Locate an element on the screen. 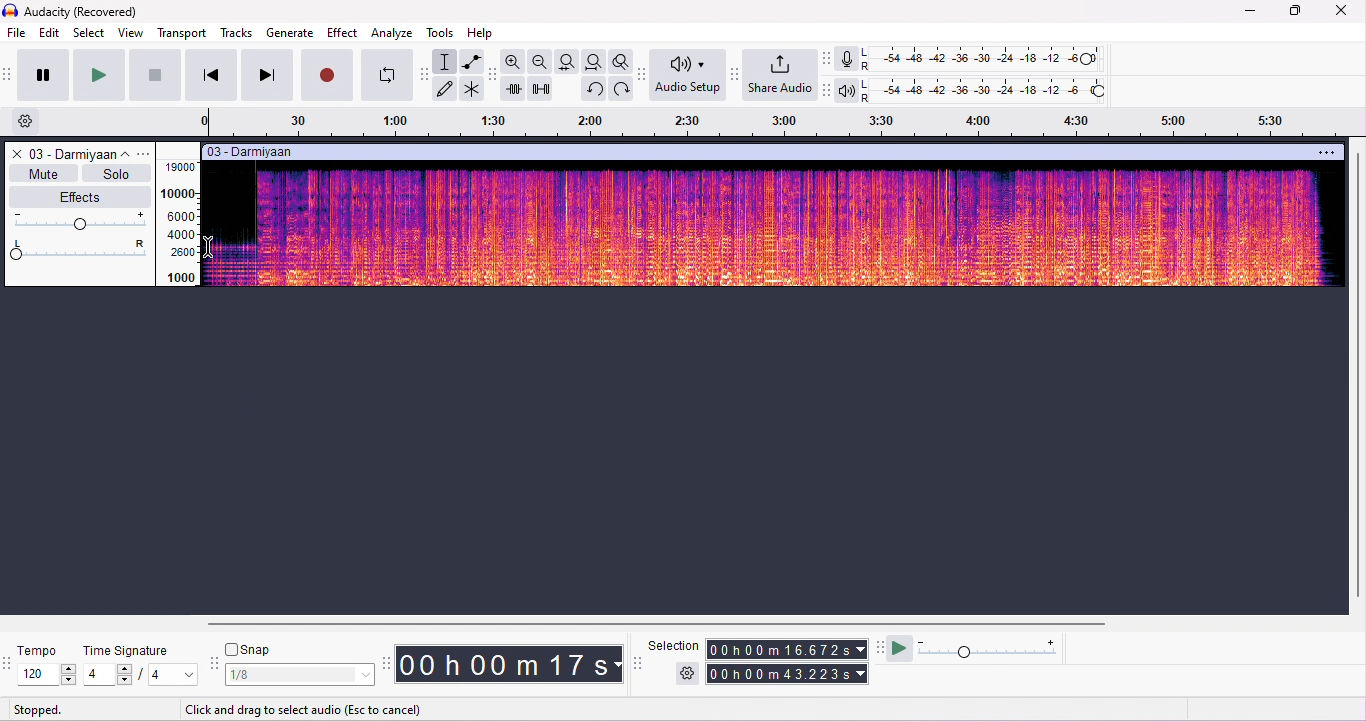 The image size is (1366, 722). timeline is located at coordinates (767, 123).